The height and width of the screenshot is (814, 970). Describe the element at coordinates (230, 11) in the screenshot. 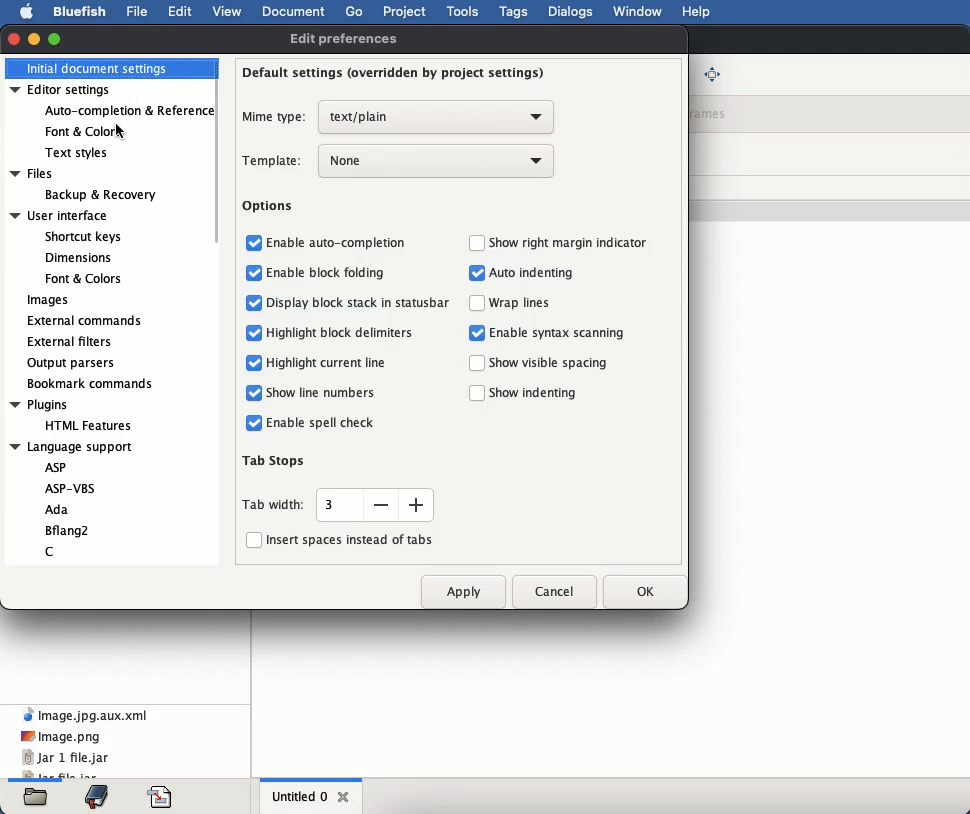

I see `view` at that location.